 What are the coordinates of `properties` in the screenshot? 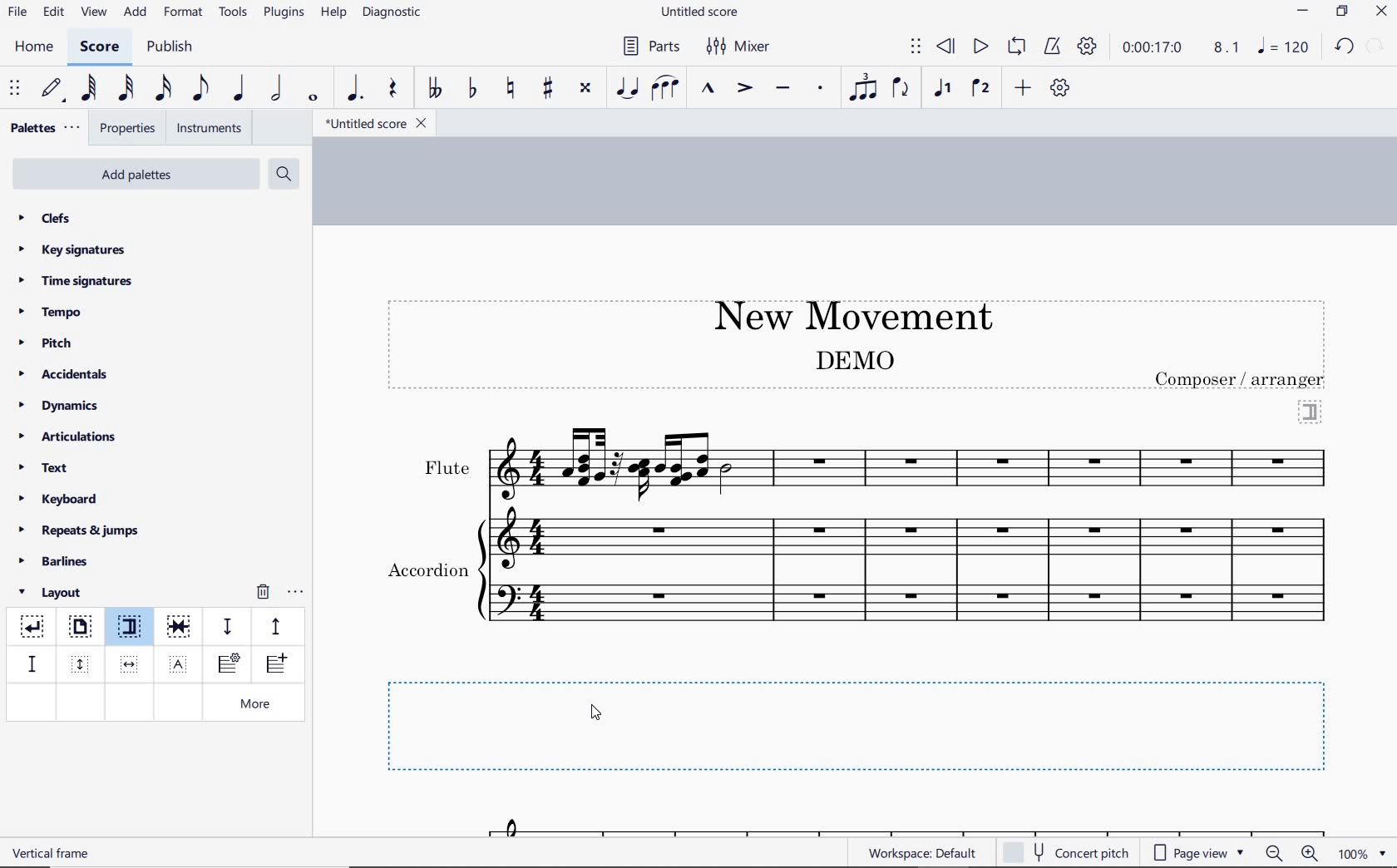 It's located at (129, 130).